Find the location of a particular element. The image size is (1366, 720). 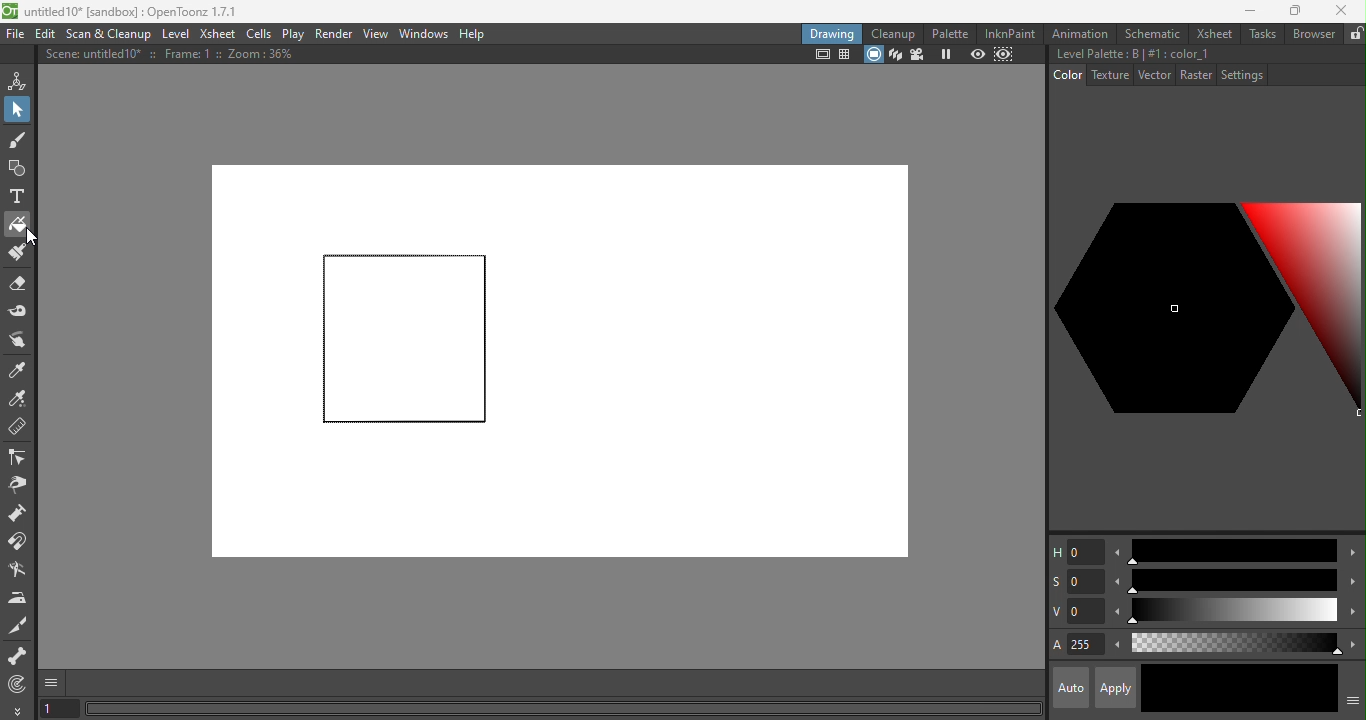

Pump tool is located at coordinates (24, 513).